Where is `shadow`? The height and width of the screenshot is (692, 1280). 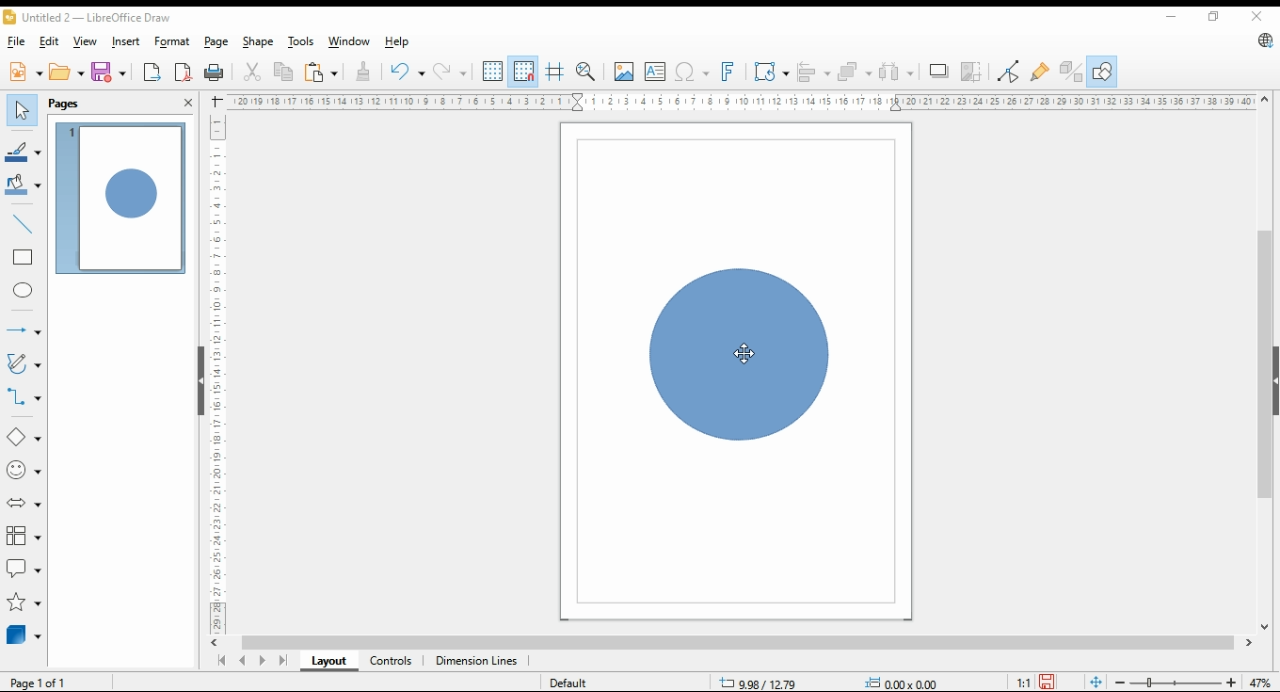
shadow is located at coordinates (936, 71).